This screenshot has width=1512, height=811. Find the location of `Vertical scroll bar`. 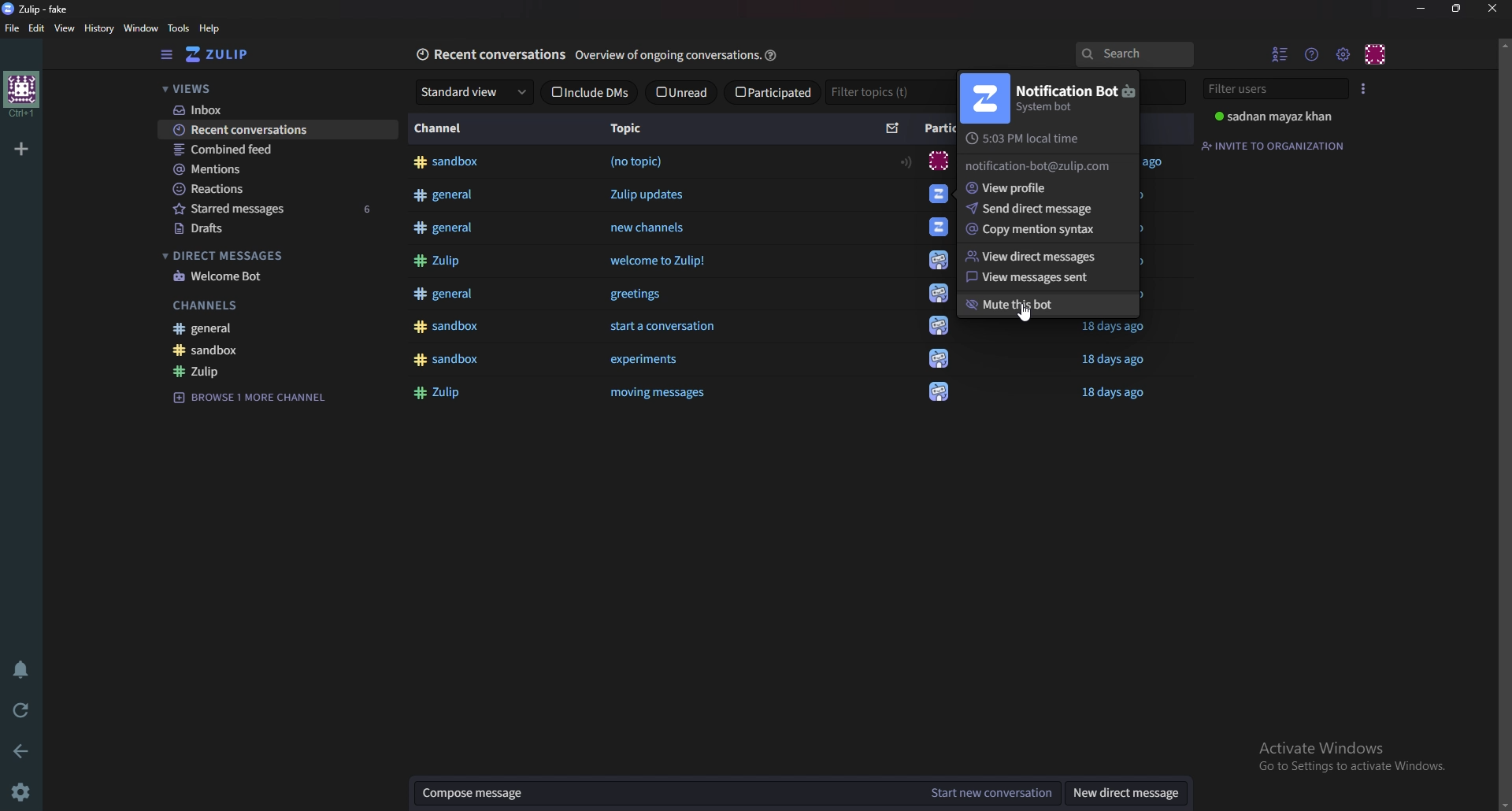

Vertical scroll bar is located at coordinates (1503, 422).